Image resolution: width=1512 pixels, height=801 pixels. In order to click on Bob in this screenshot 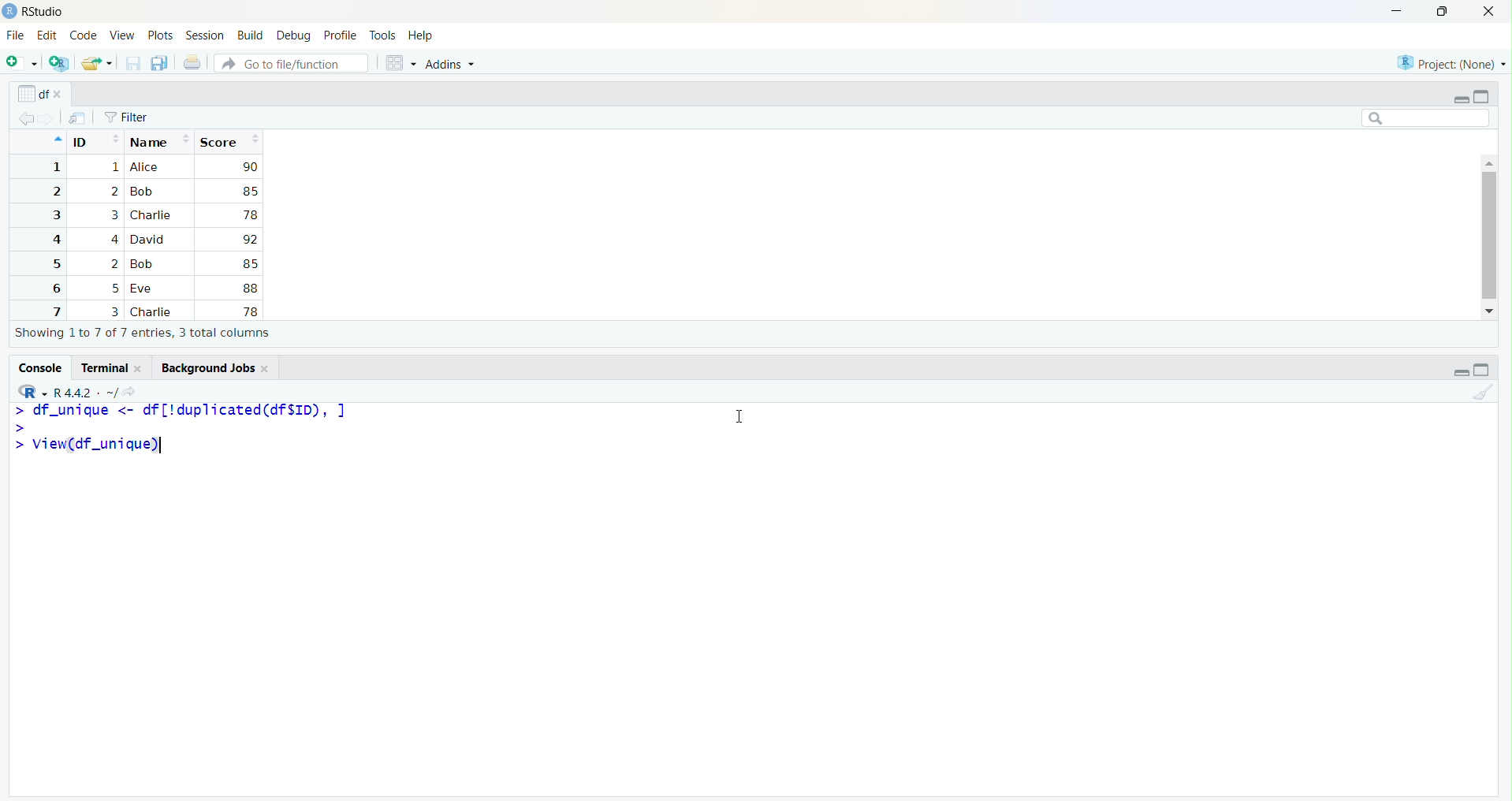, I will do `click(146, 264)`.